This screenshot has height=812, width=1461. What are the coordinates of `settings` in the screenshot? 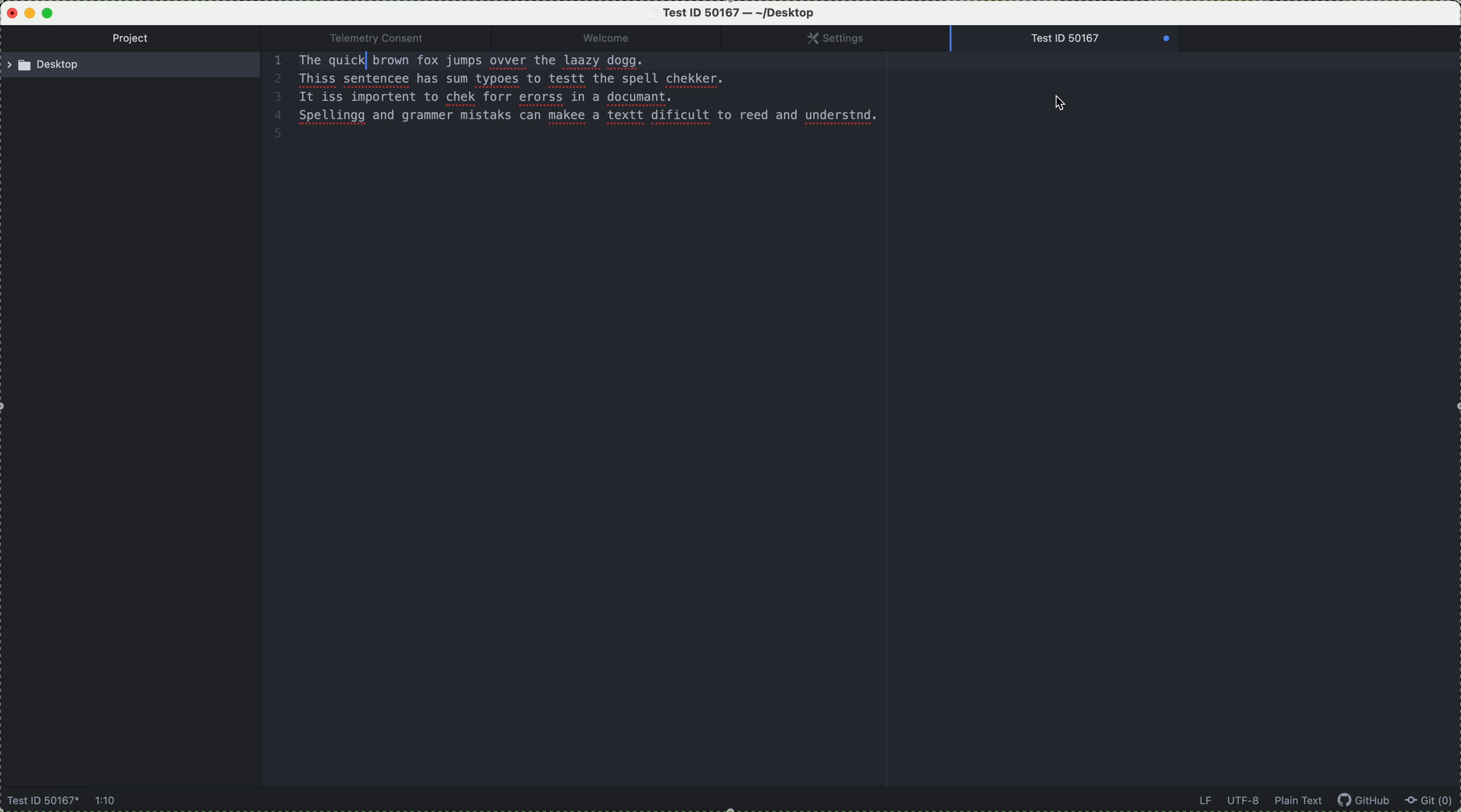 It's located at (847, 39).